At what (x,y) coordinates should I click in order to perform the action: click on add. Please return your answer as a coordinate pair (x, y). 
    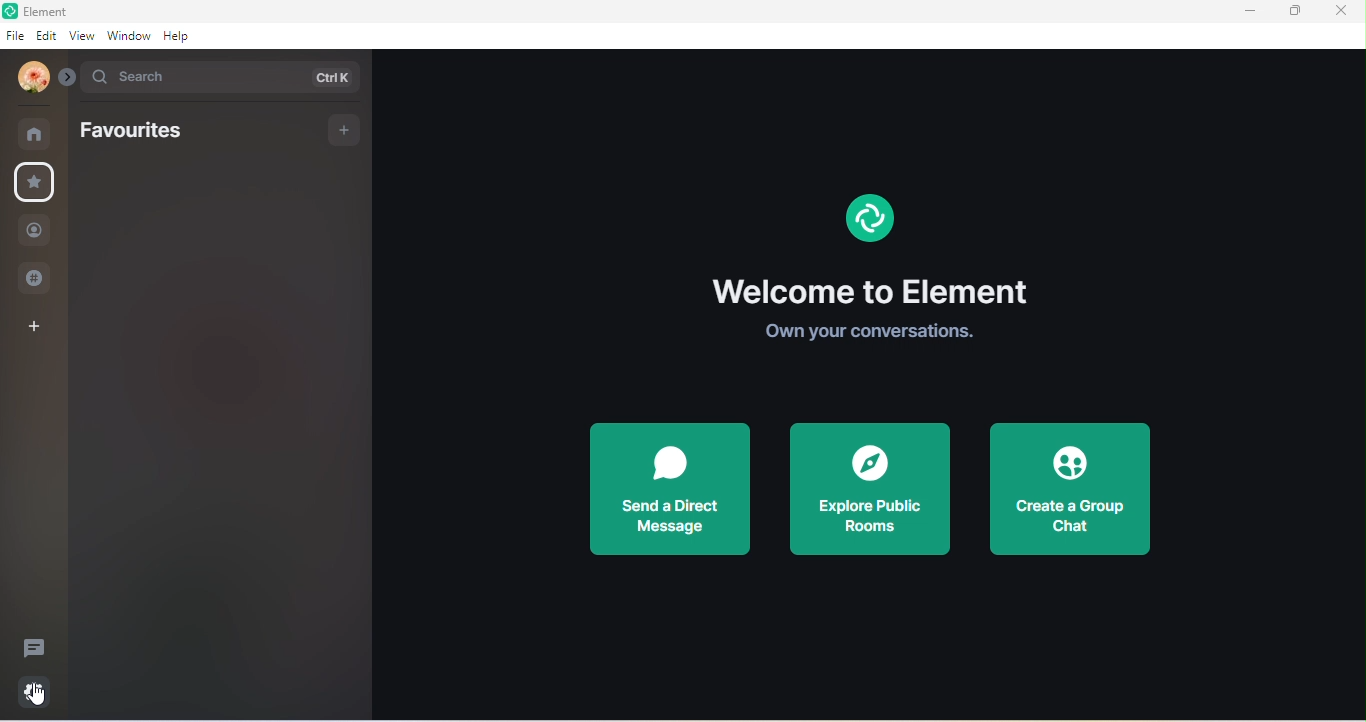
    Looking at the image, I should click on (345, 130).